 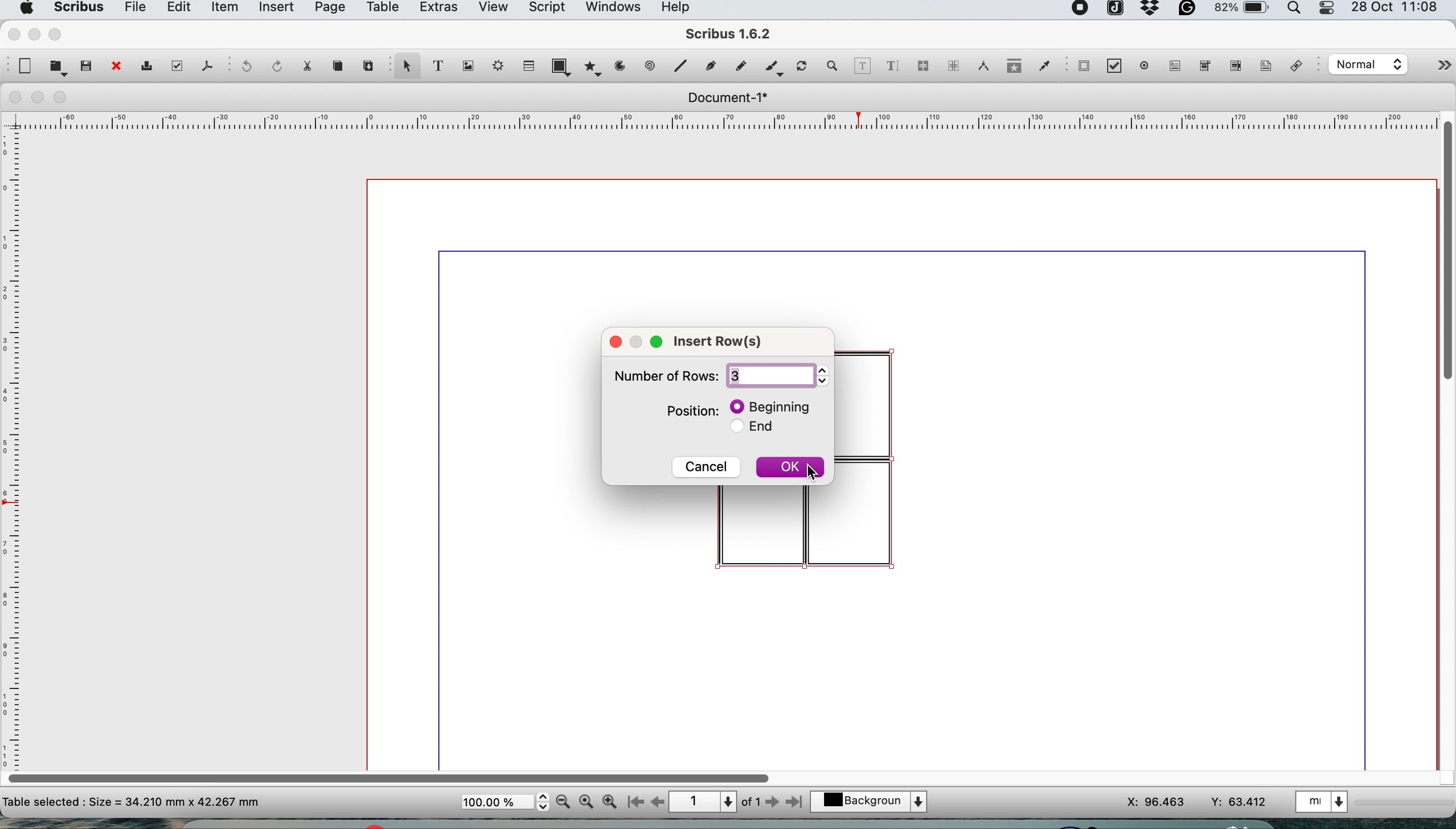 I want to click on freehand line, so click(x=738, y=66).